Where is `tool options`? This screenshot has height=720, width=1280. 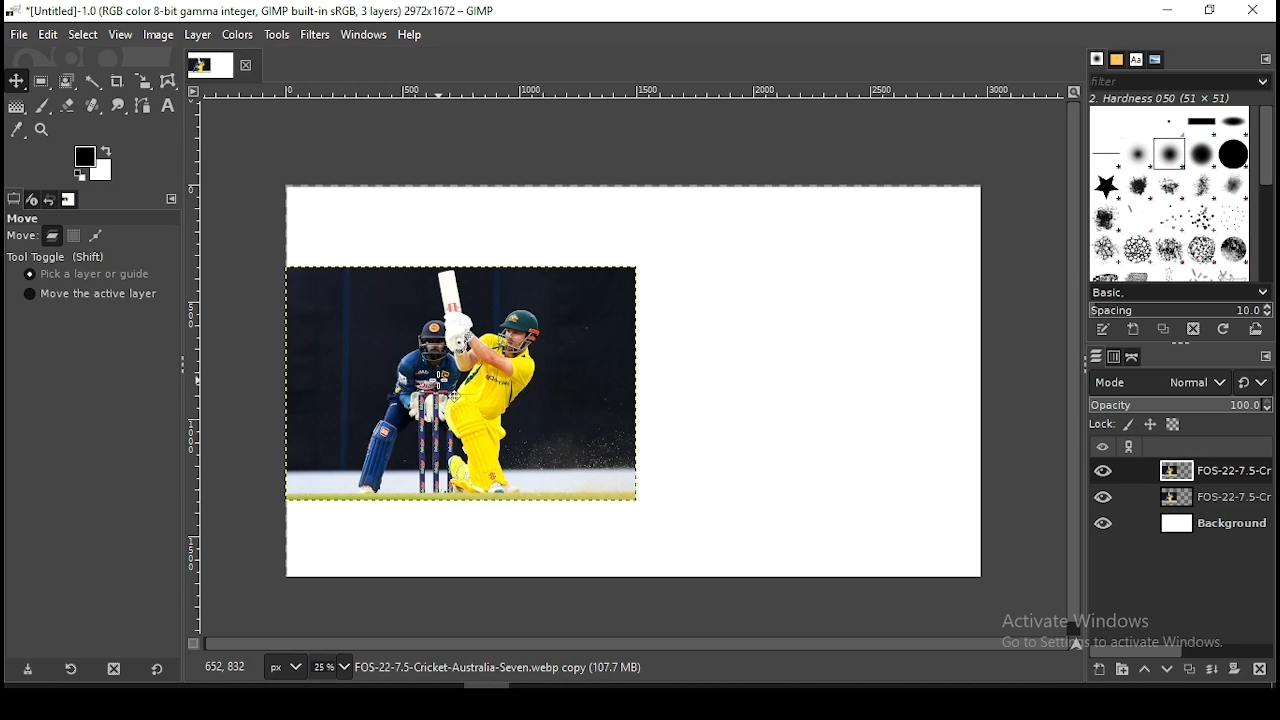 tool options is located at coordinates (14, 198).